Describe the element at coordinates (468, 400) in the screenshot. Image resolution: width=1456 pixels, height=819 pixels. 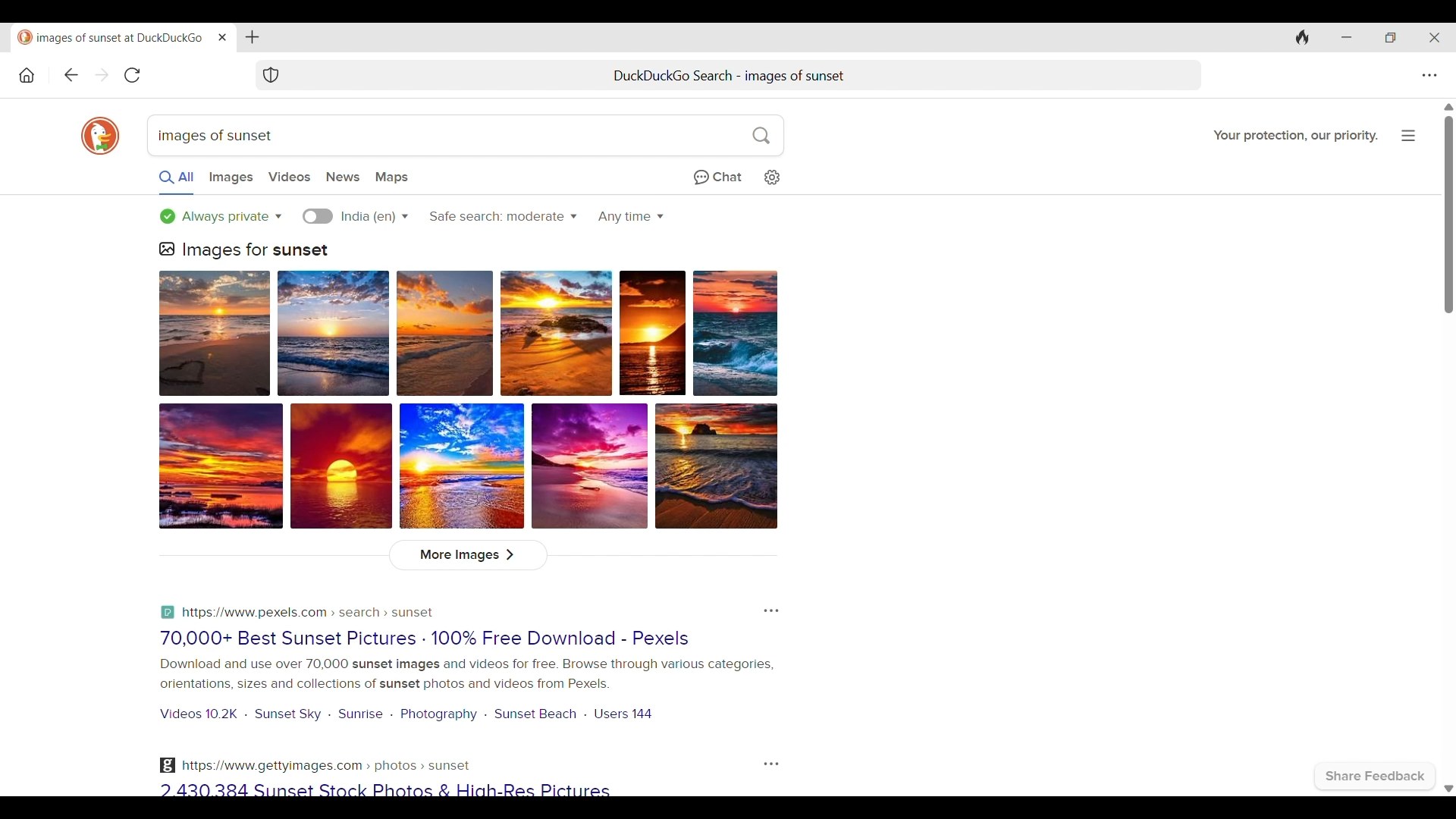
I see `Images for sunset` at that location.